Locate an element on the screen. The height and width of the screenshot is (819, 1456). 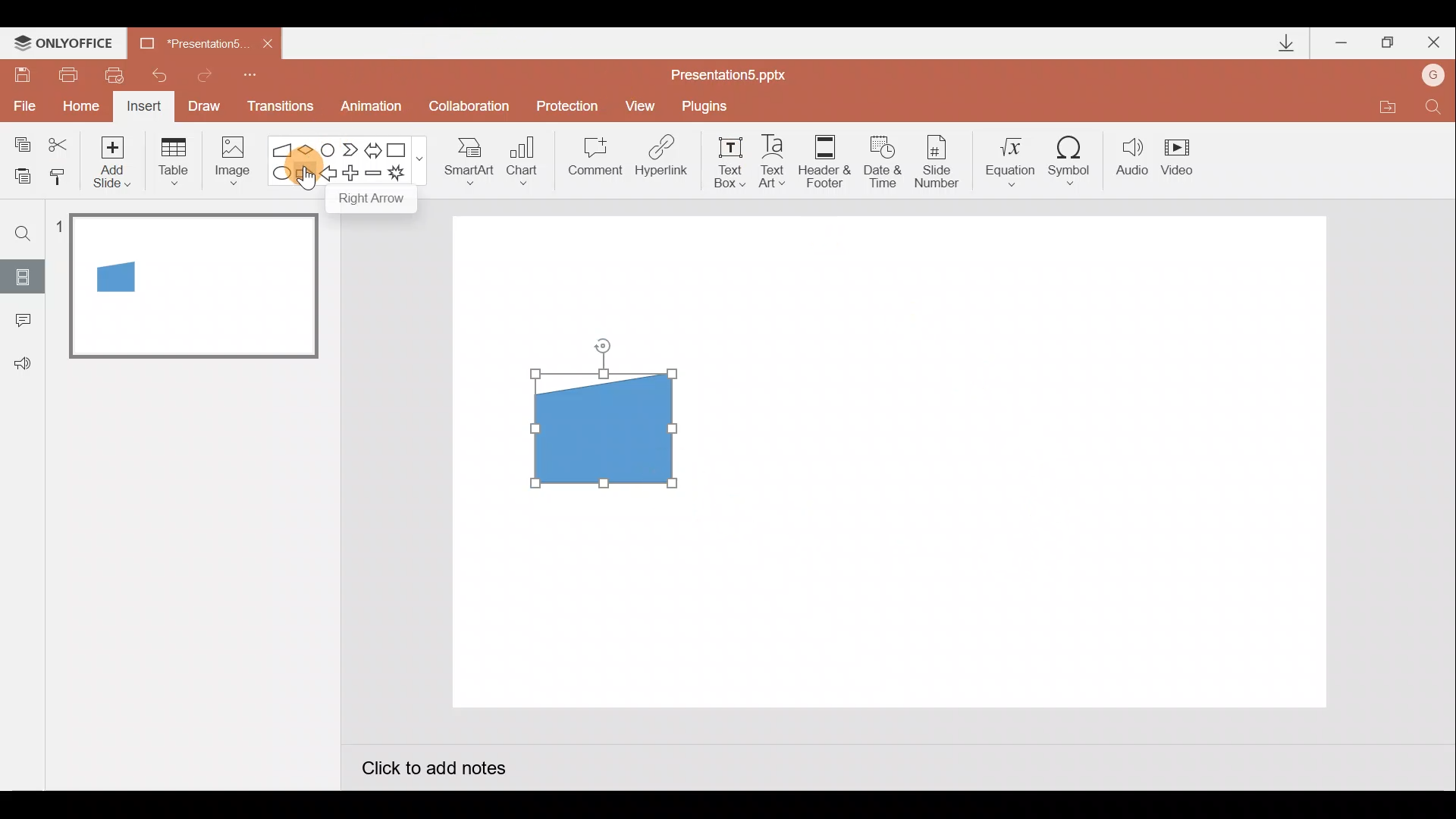
Close is located at coordinates (268, 44).